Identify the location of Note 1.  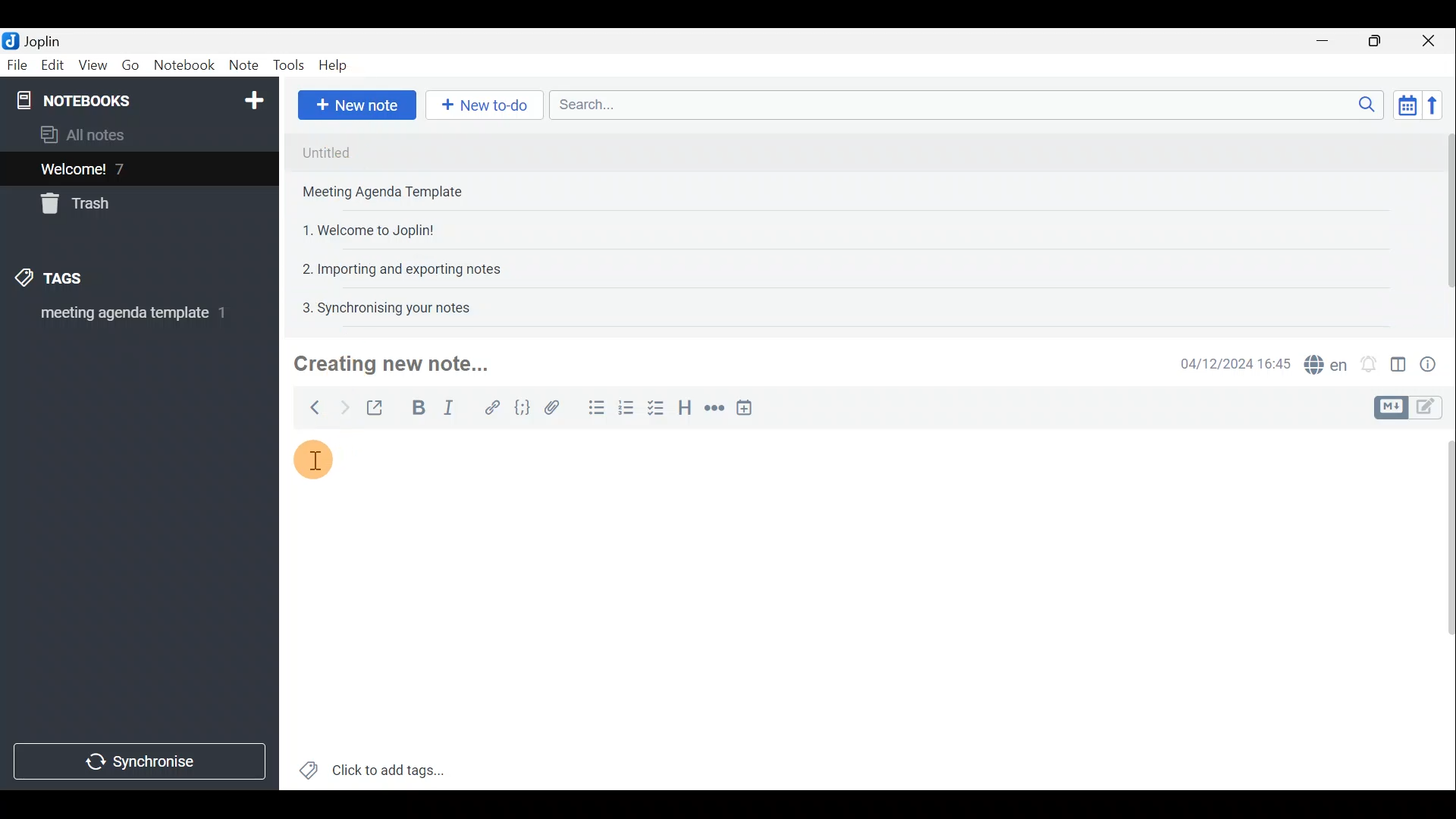
(424, 151).